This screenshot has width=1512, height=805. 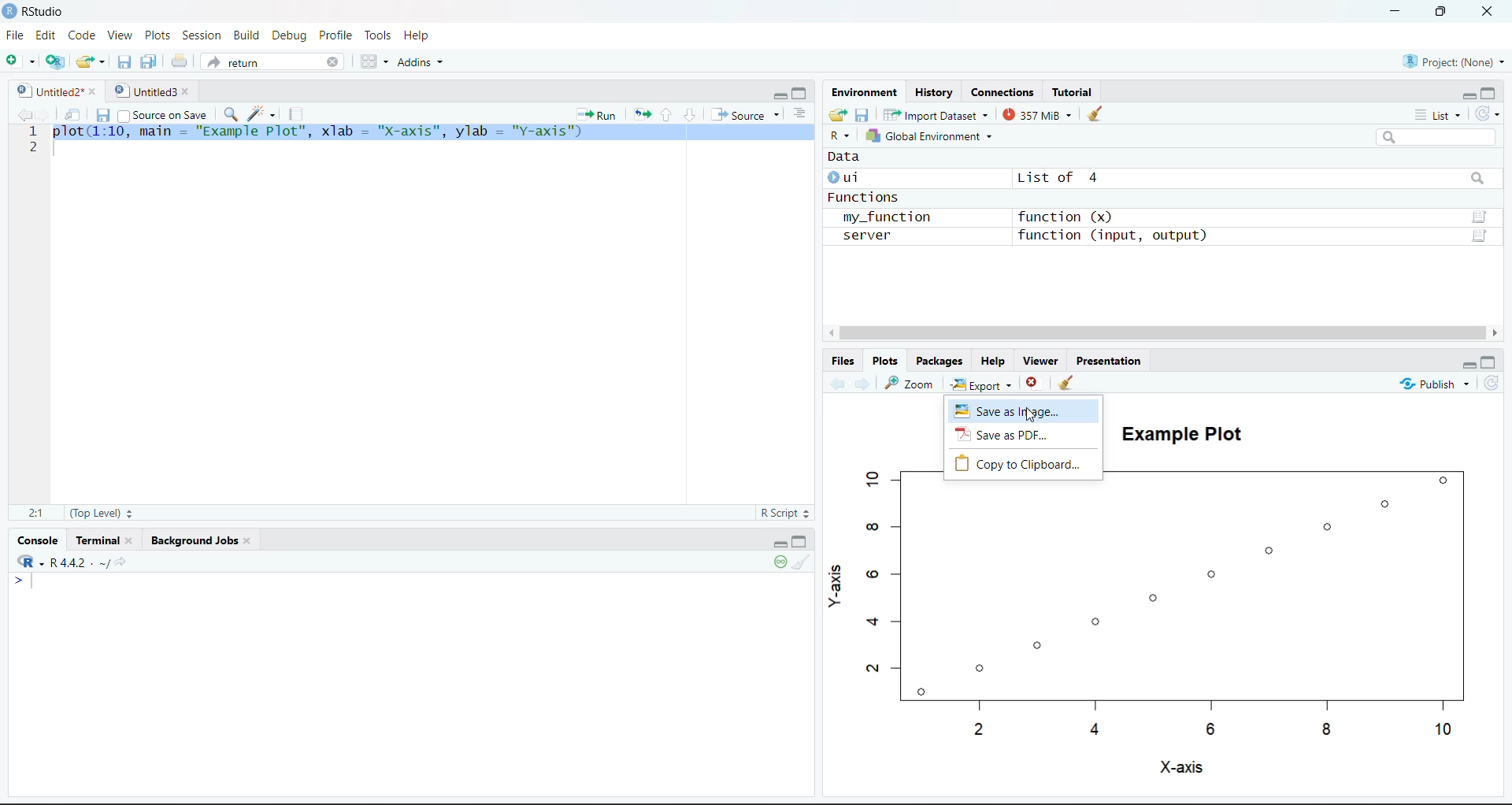 I want to click on Close, so click(x=1033, y=382).